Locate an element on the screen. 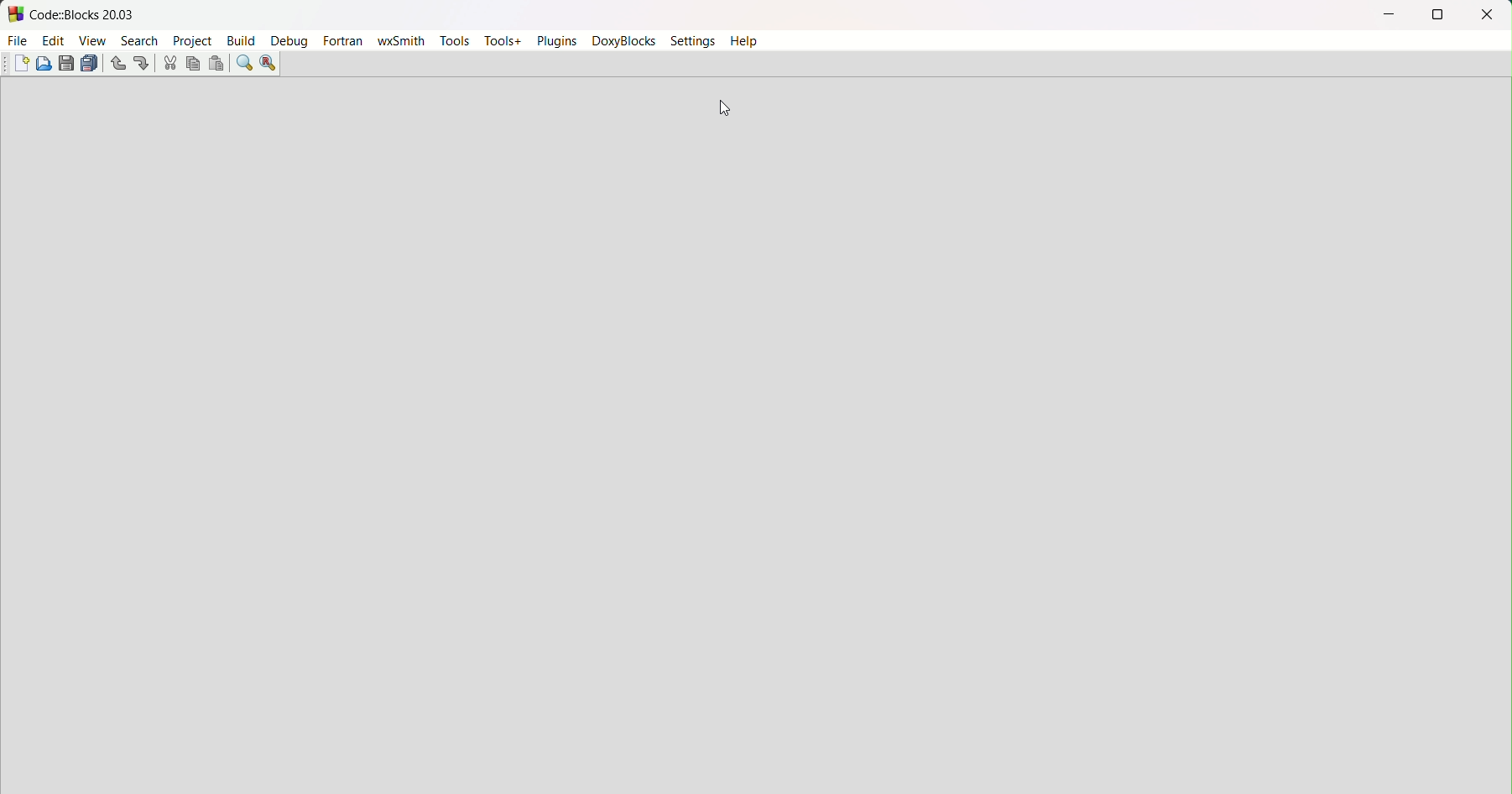 The height and width of the screenshot is (794, 1512). fullscreen is located at coordinates (1437, 15).